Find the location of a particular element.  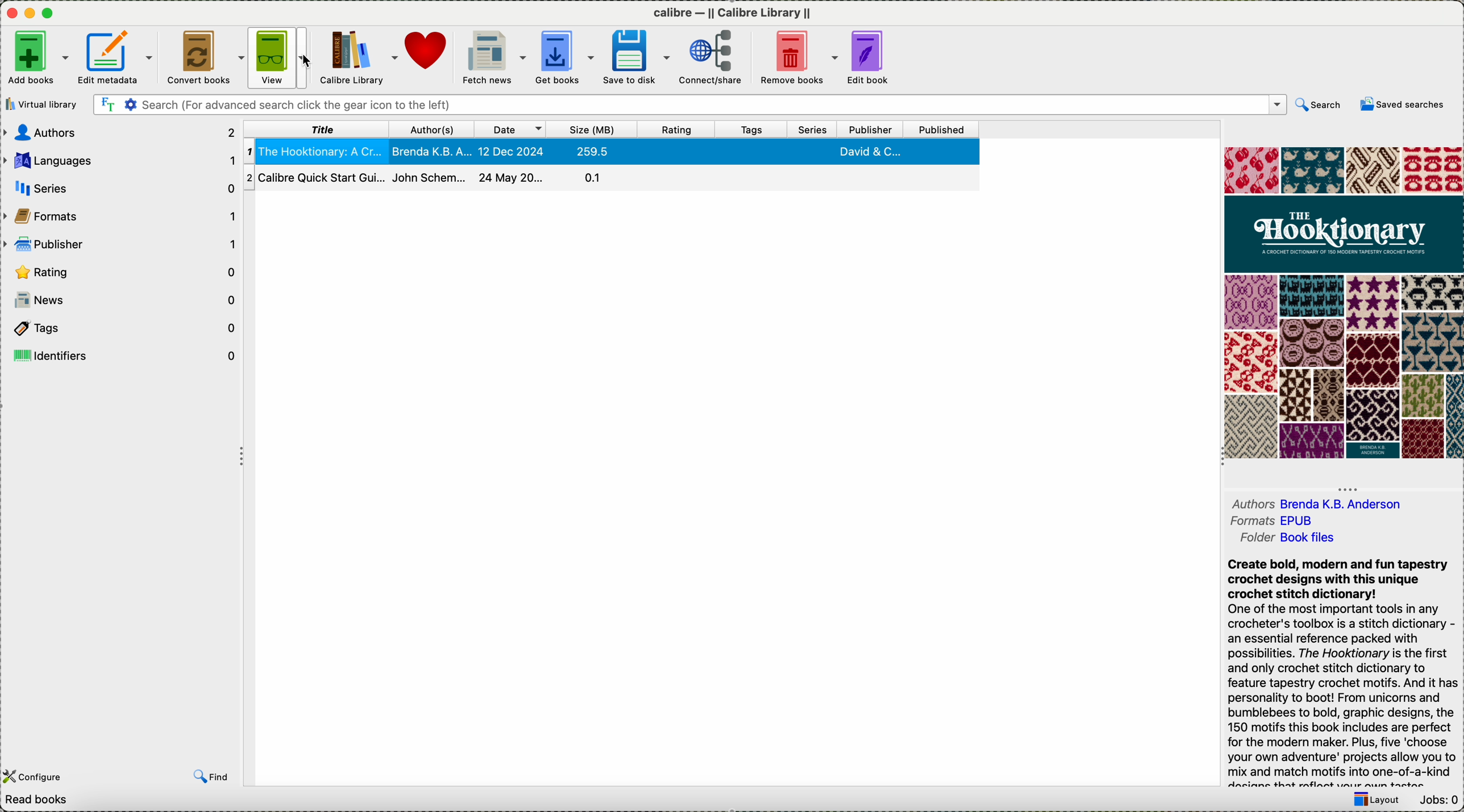

author(s) is located at coordinates (432, 130).